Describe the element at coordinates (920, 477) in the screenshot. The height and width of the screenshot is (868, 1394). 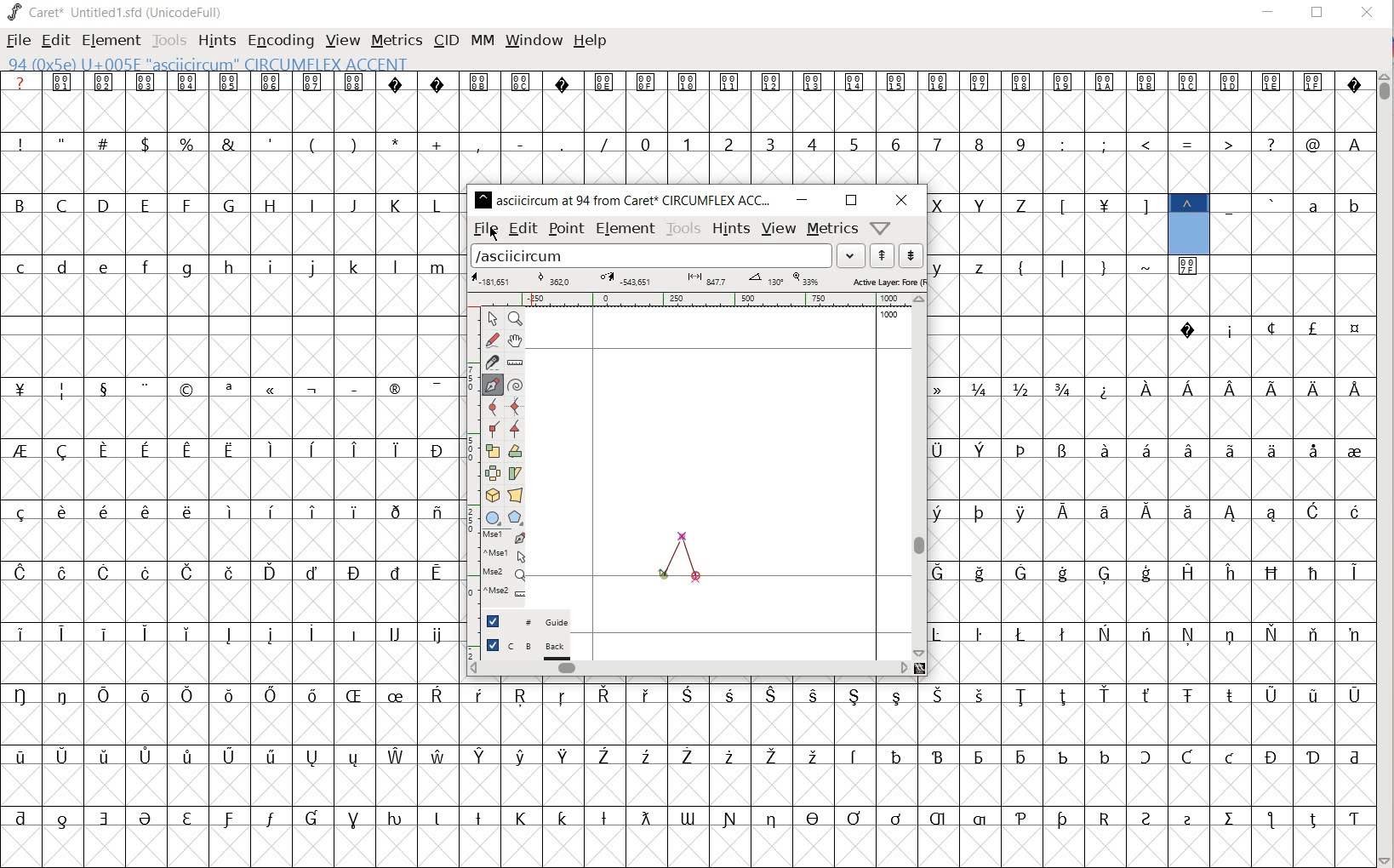
I see `scrollbar` at that location.